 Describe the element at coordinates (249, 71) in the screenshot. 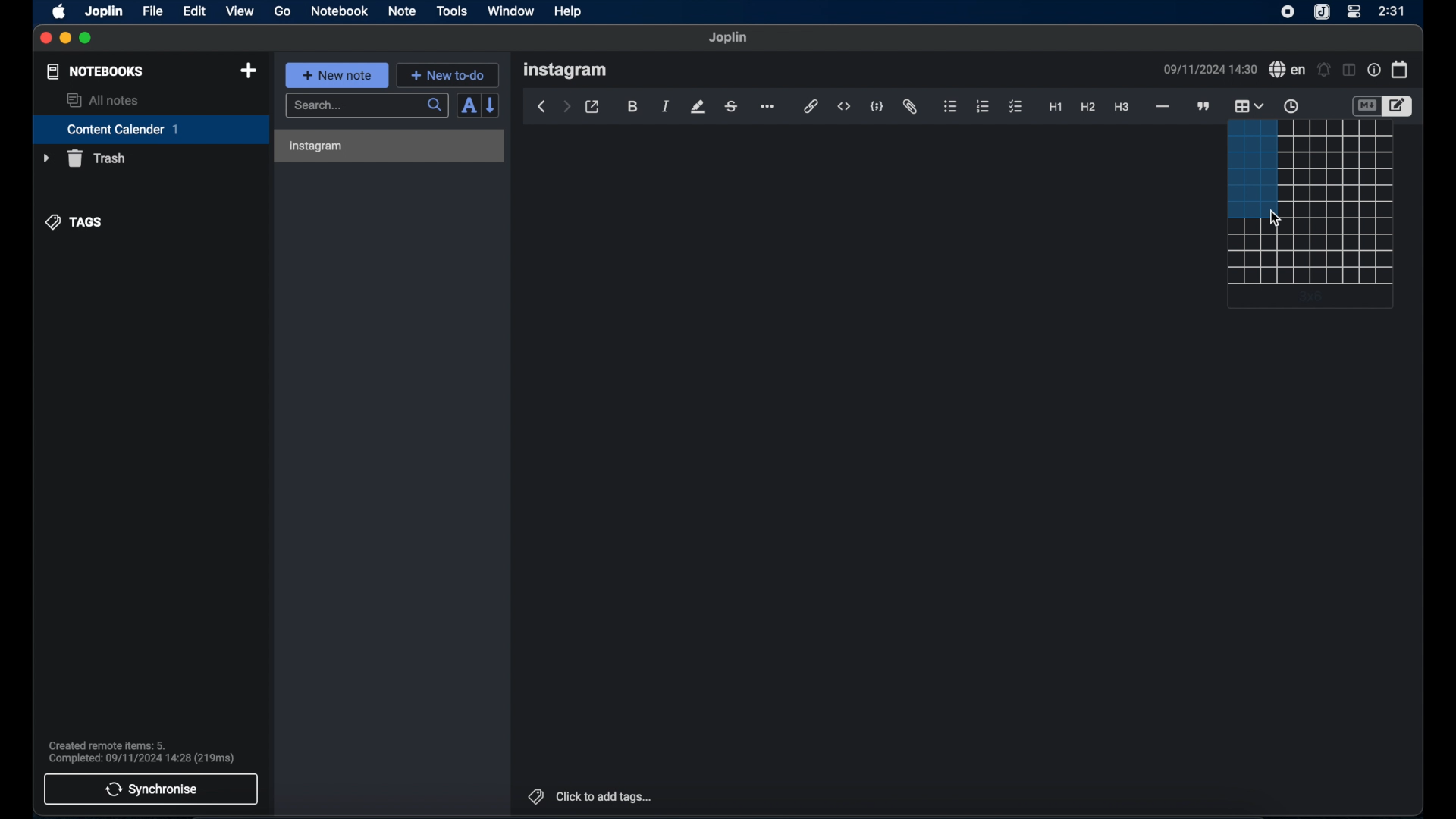

I see `new notebook` at that location.